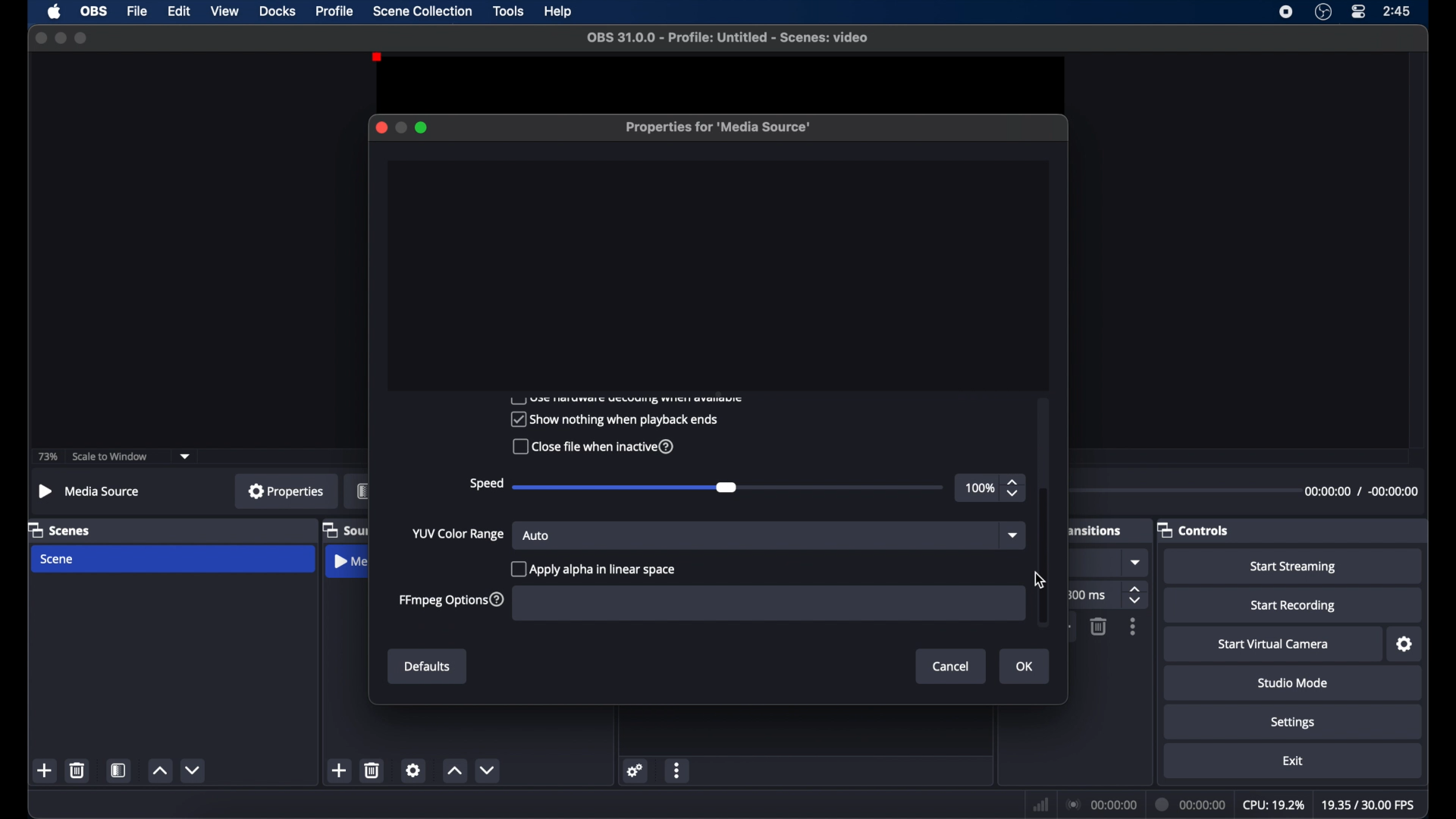 The height and width of the screenshot is (819, 1456). What do you see at coordinates (186, 455) in the screenshot?
I see `dropdown` at bounding box center [186, 455].